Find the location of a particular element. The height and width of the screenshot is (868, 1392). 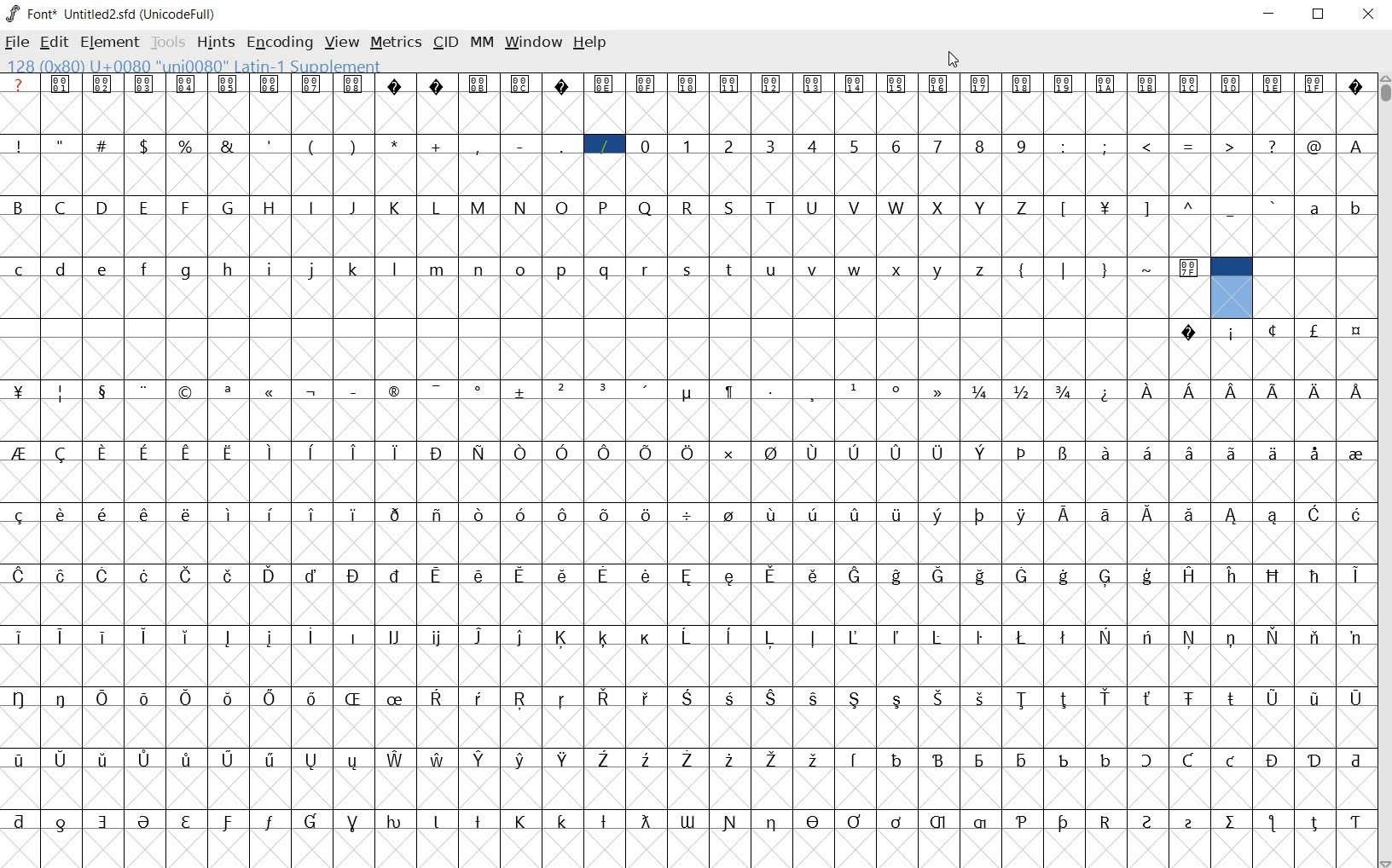

Symbol is located at coordinates (313, 451).